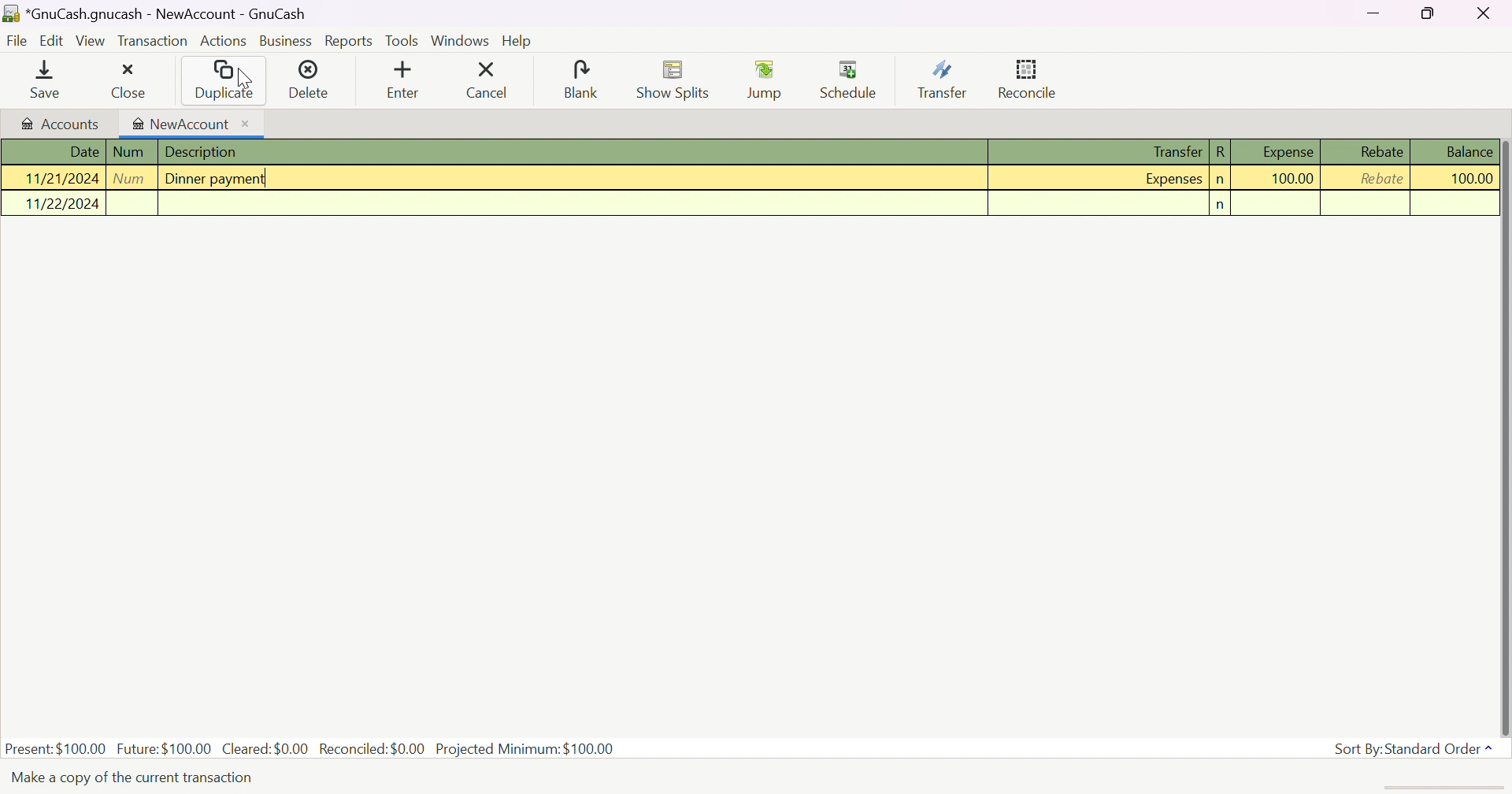 The width and height of the screenshot is (1512, 794). What do you see at coordinates (1380, 151) in the screenshot?
I see `Rebate` at bounding box center [1380, 151].